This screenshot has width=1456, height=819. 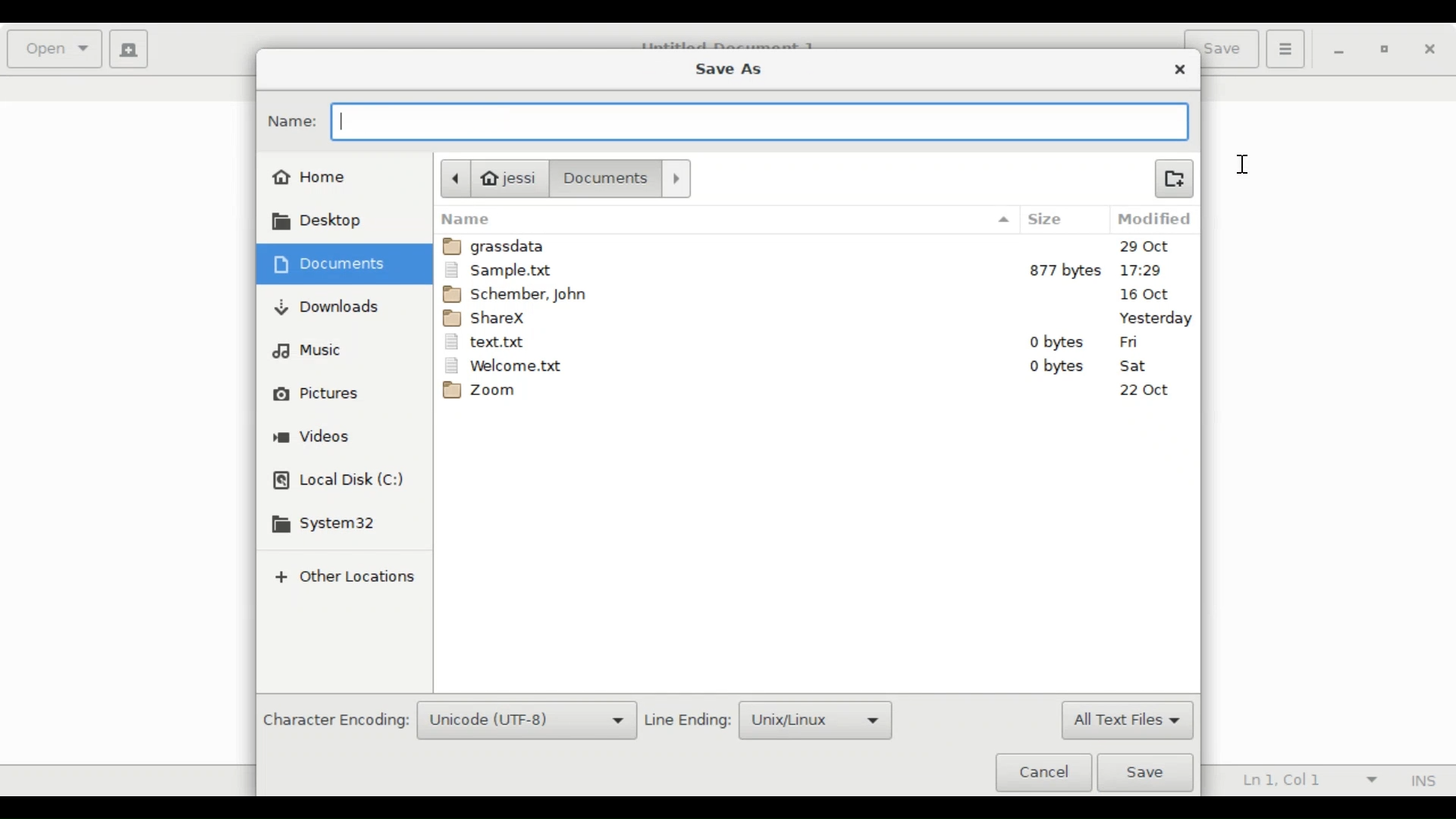 I want to click on Create new Folder, so click(x=1173, y=177).